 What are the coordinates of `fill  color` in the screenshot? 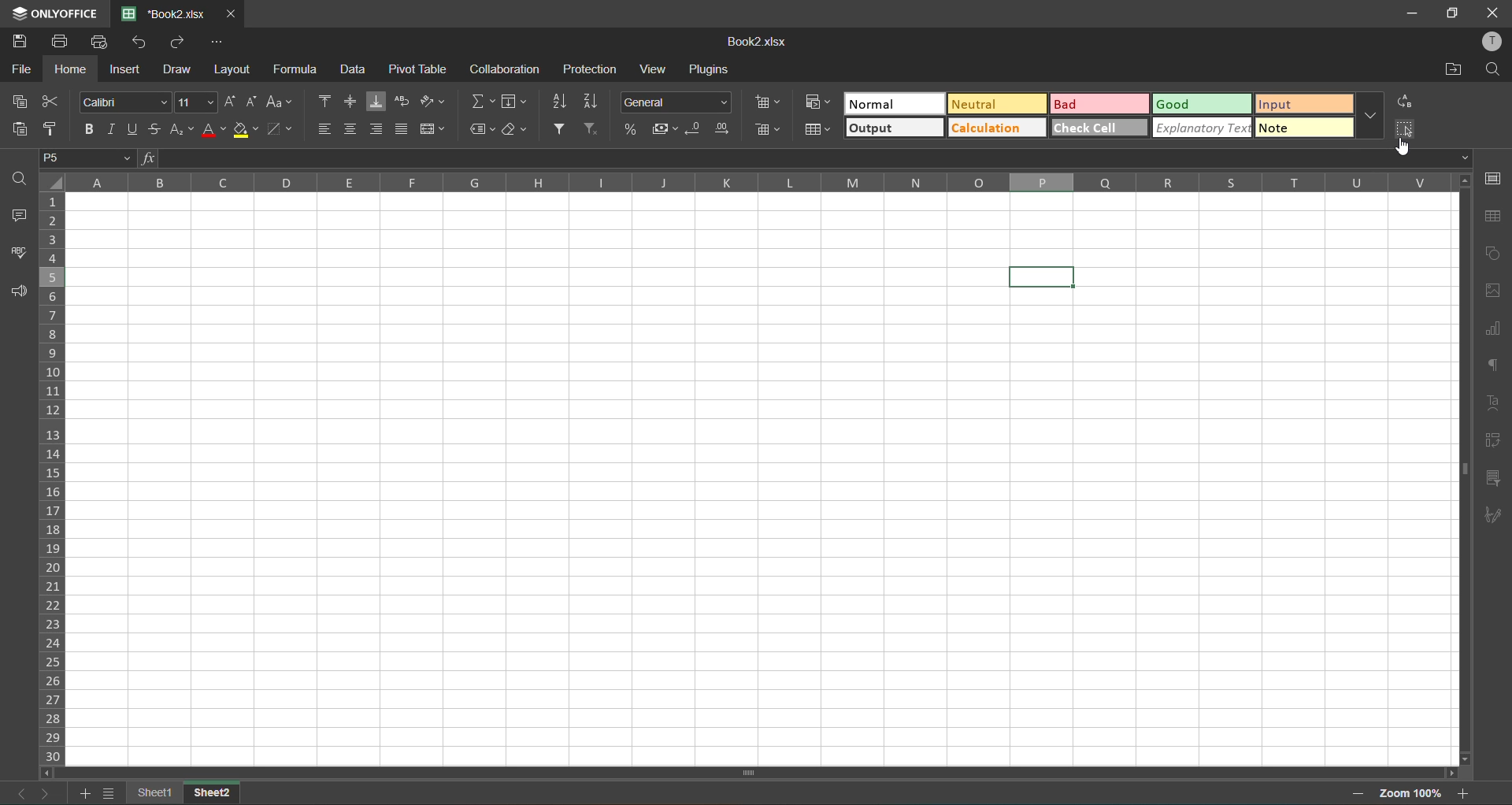 It's located at (247, 132).